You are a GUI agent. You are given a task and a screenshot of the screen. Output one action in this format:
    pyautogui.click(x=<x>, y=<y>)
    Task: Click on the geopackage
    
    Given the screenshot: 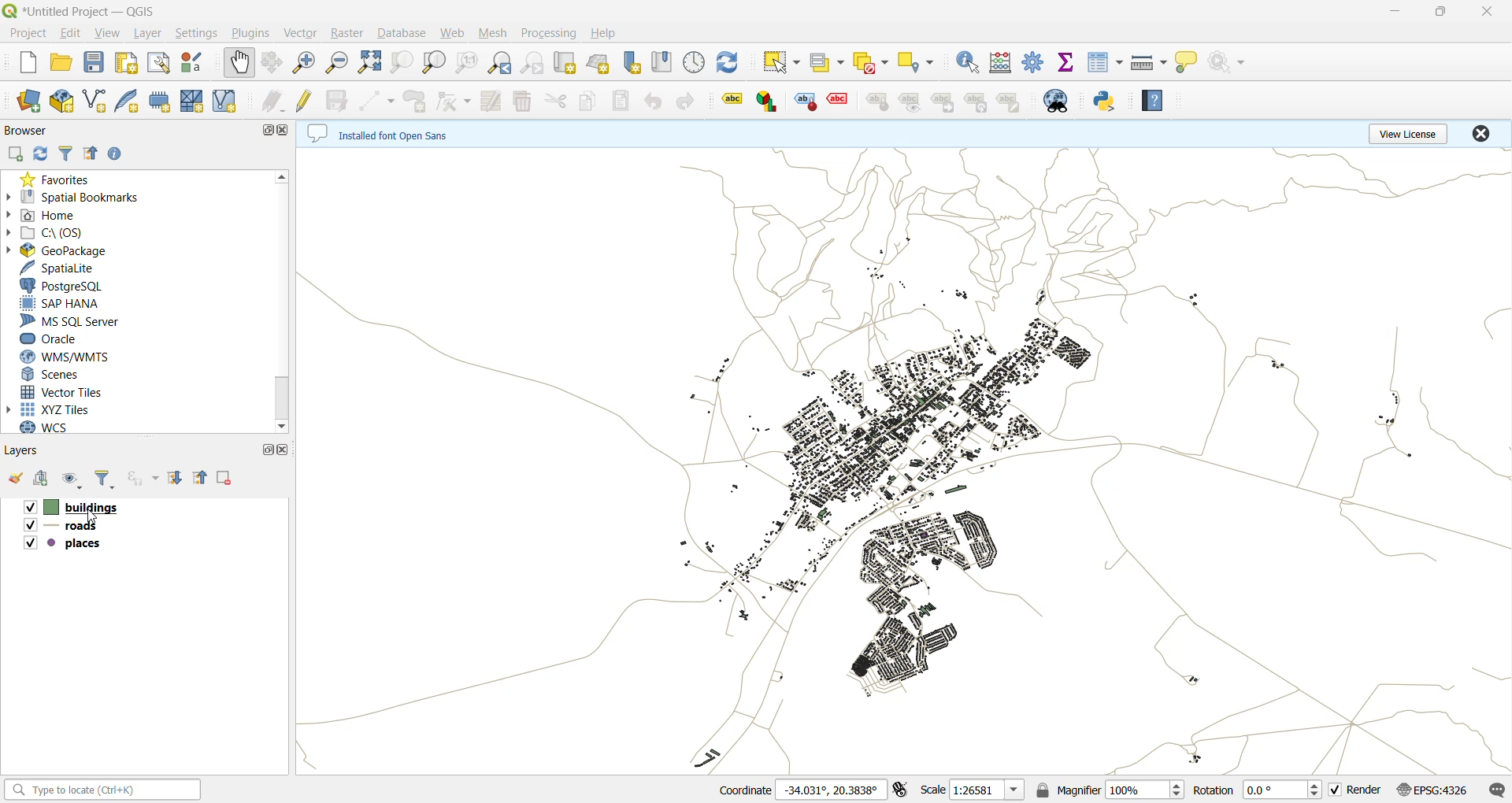 What is the action you would take?
    pyautogui.click(x=80, y=250)
    